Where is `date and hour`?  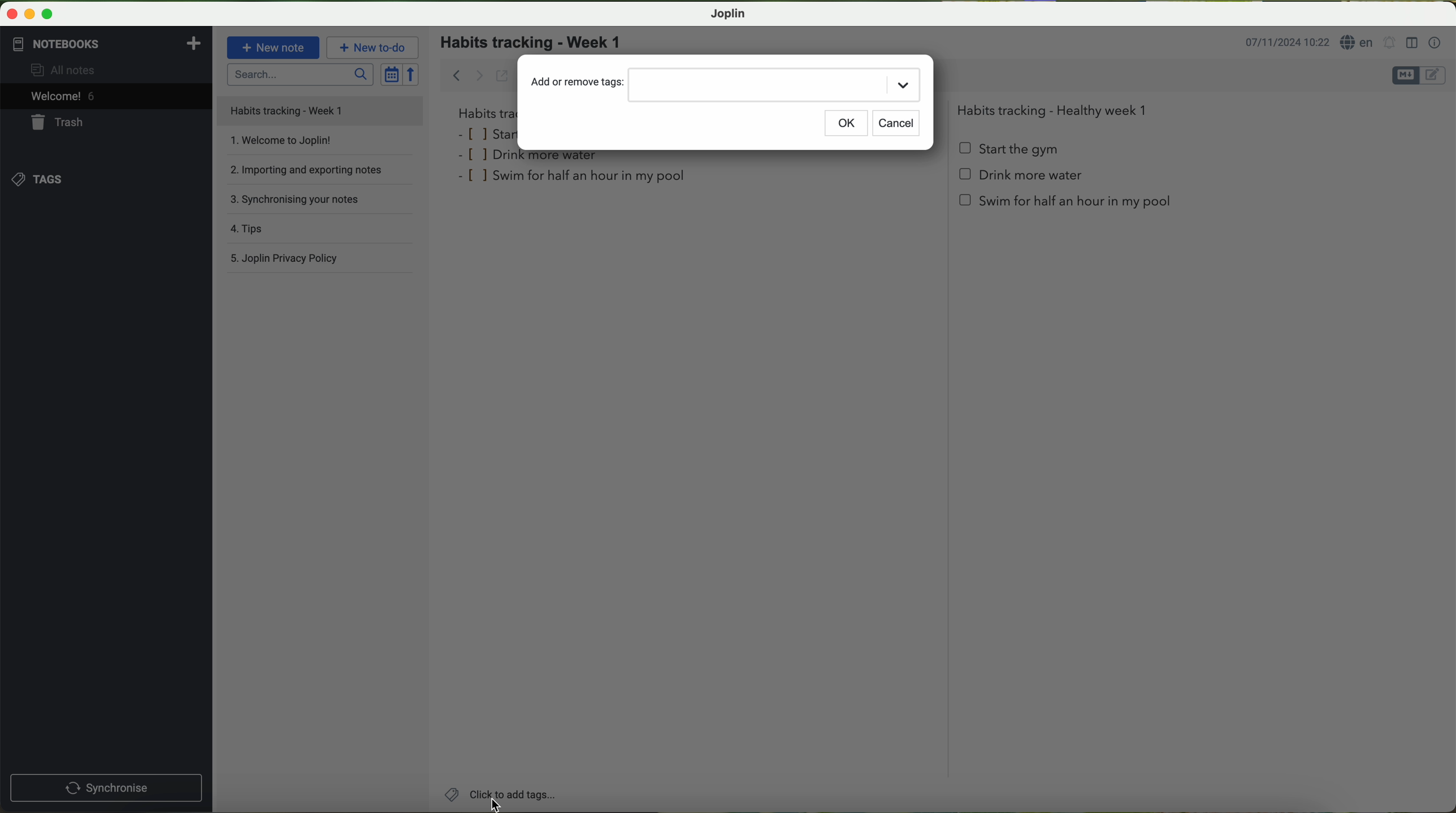 date and hour is located at coordinates (1287, 41).